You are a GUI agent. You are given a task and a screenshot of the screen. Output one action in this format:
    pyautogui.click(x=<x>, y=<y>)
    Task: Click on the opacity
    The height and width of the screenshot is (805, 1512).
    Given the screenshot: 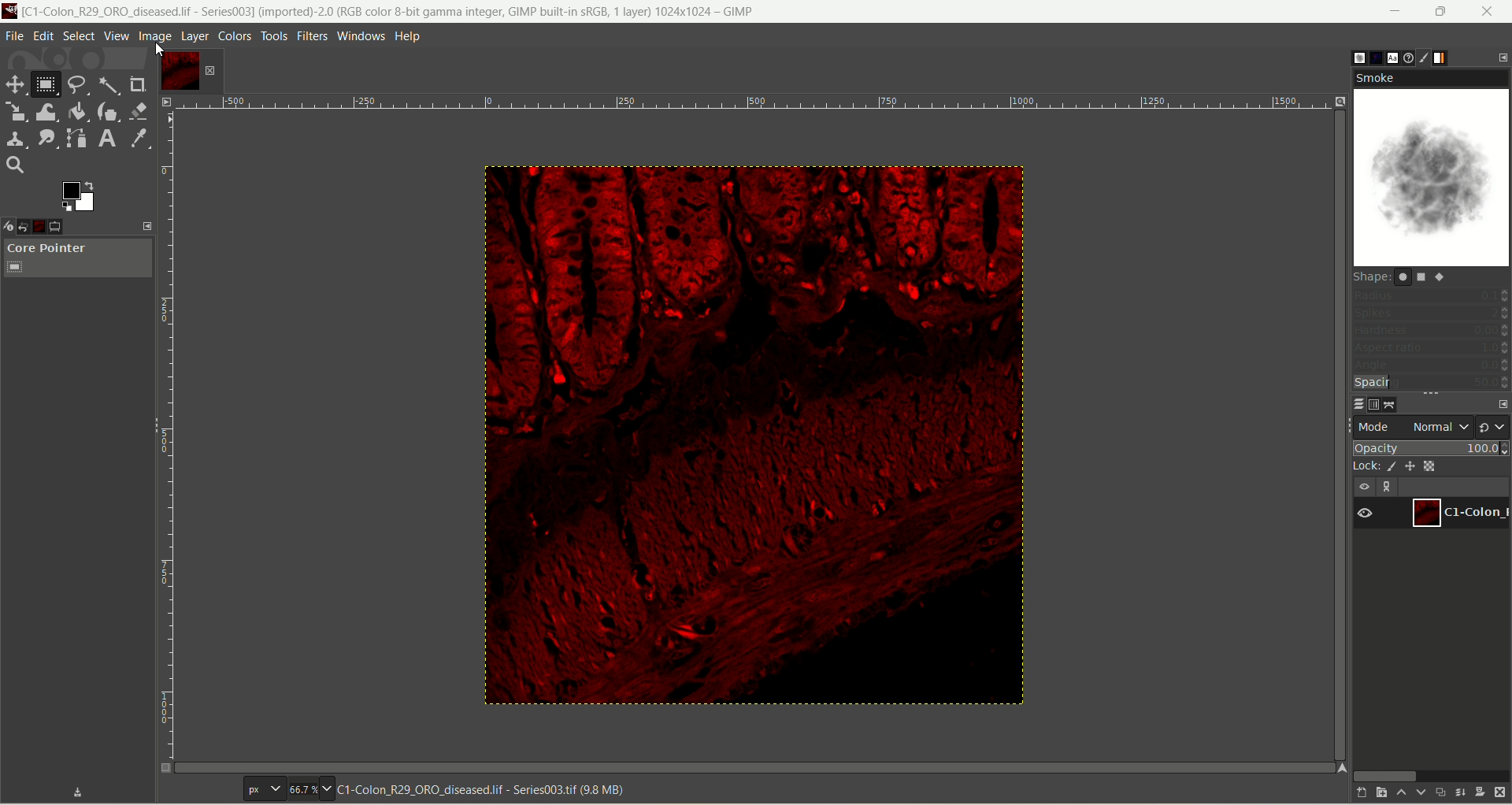 What is the action you would take?
    pyautogui.click(x=1432, y=448)
    